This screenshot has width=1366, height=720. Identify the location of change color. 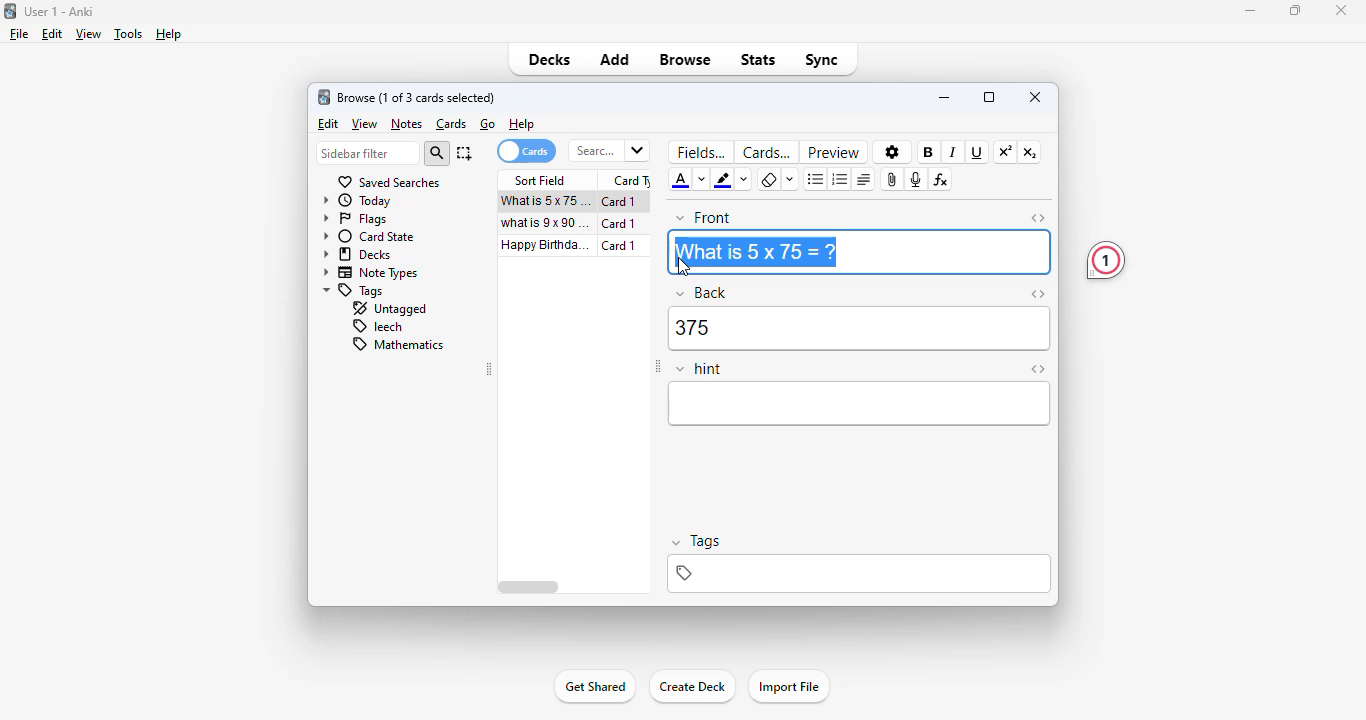
(702, 181).